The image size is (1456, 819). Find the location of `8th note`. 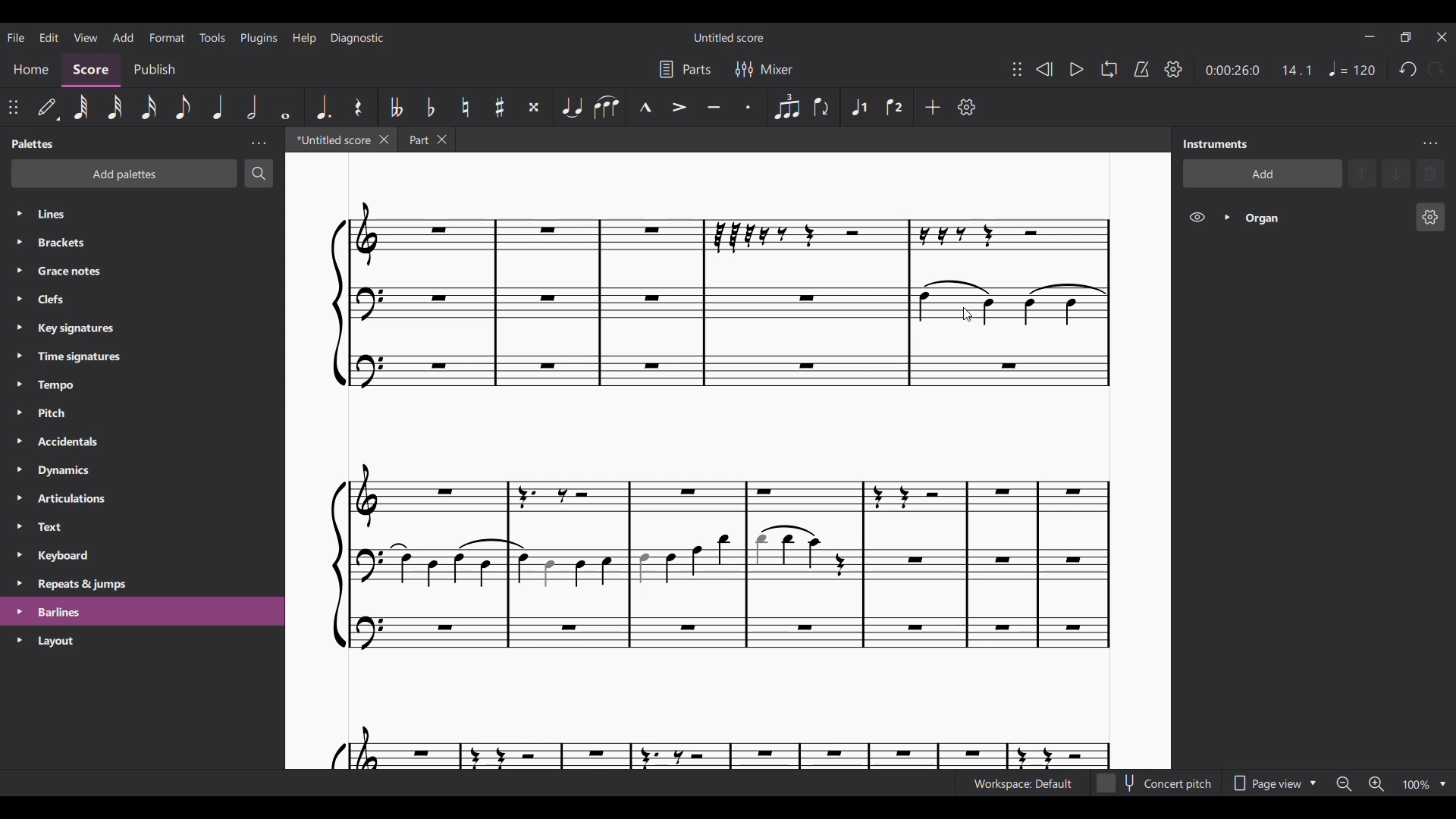

8th note is located at coordinates (183, 107).